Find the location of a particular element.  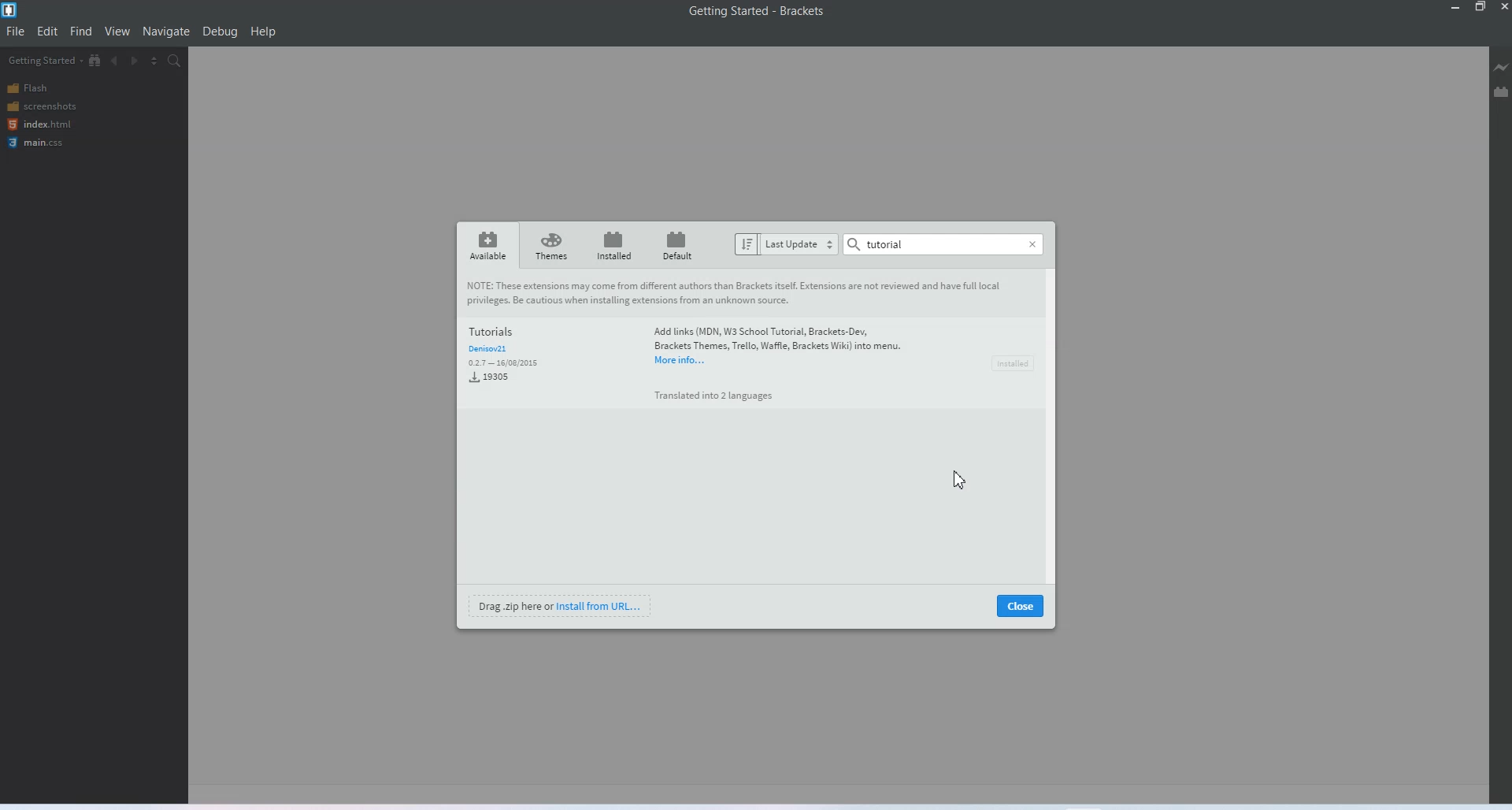

Close is located at coordinates (1032, 244).